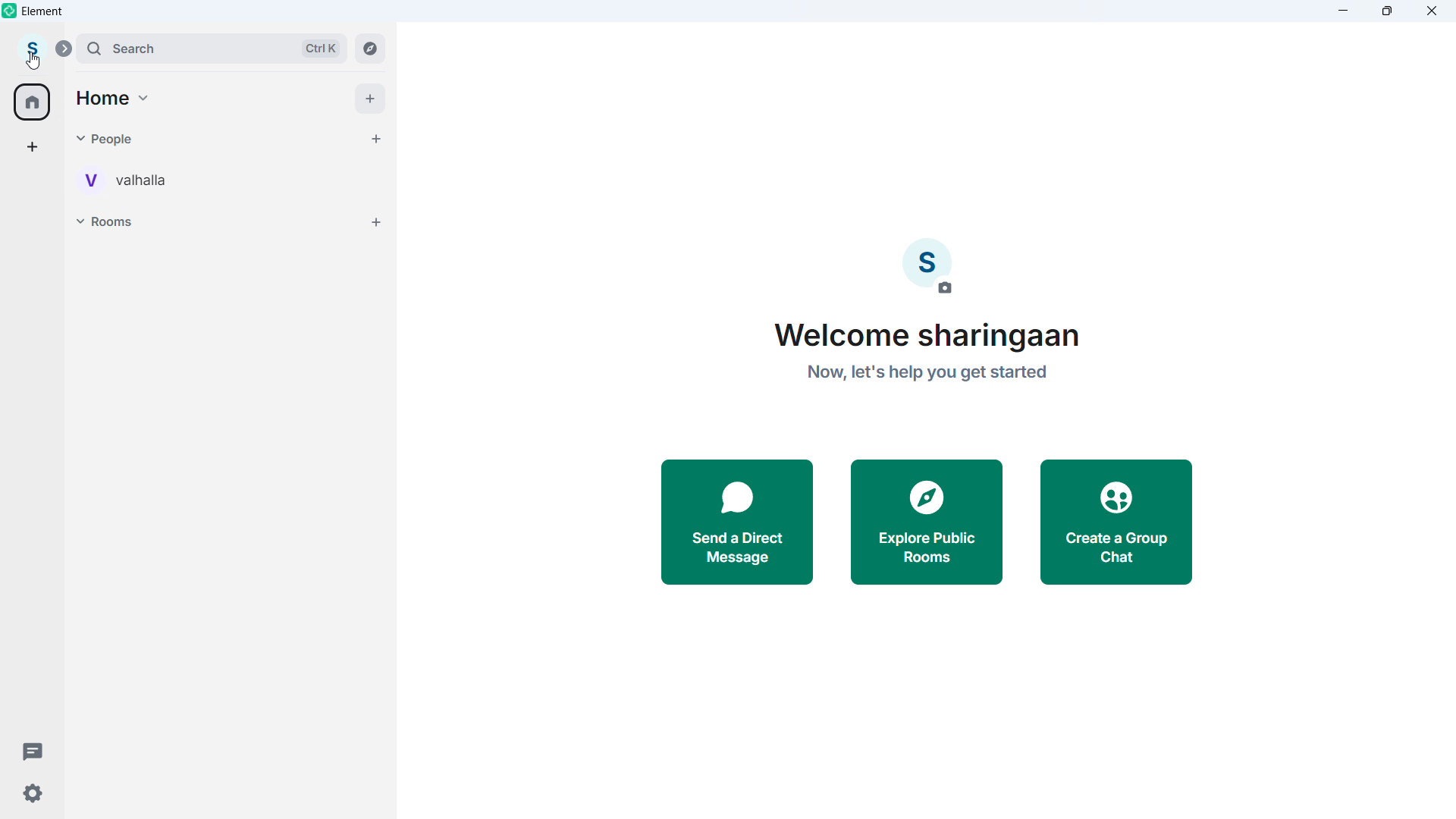 This screenshot has height=819, width=1456. What do you see at coordinates (927, 267) in the screenshot?
I see `Account image` at bounding box center [927, 267].